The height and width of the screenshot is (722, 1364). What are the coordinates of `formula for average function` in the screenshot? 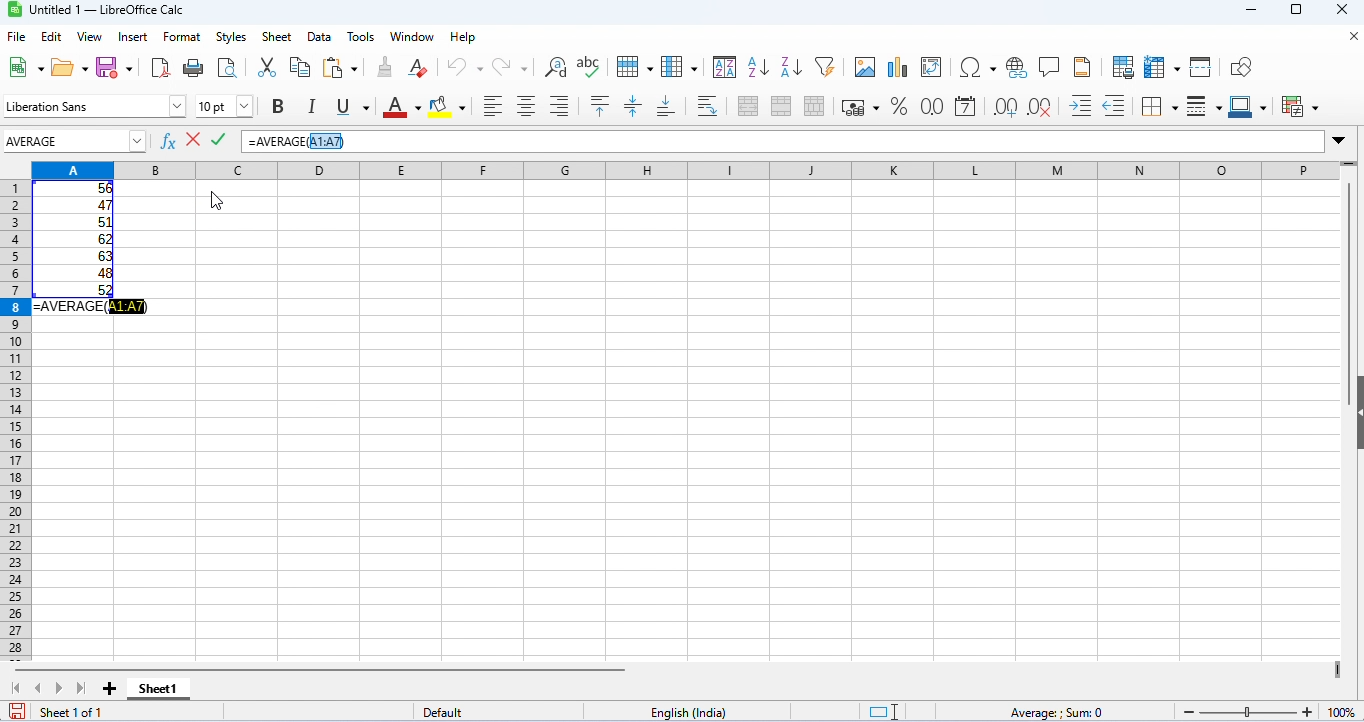 It's located at (298, 141).